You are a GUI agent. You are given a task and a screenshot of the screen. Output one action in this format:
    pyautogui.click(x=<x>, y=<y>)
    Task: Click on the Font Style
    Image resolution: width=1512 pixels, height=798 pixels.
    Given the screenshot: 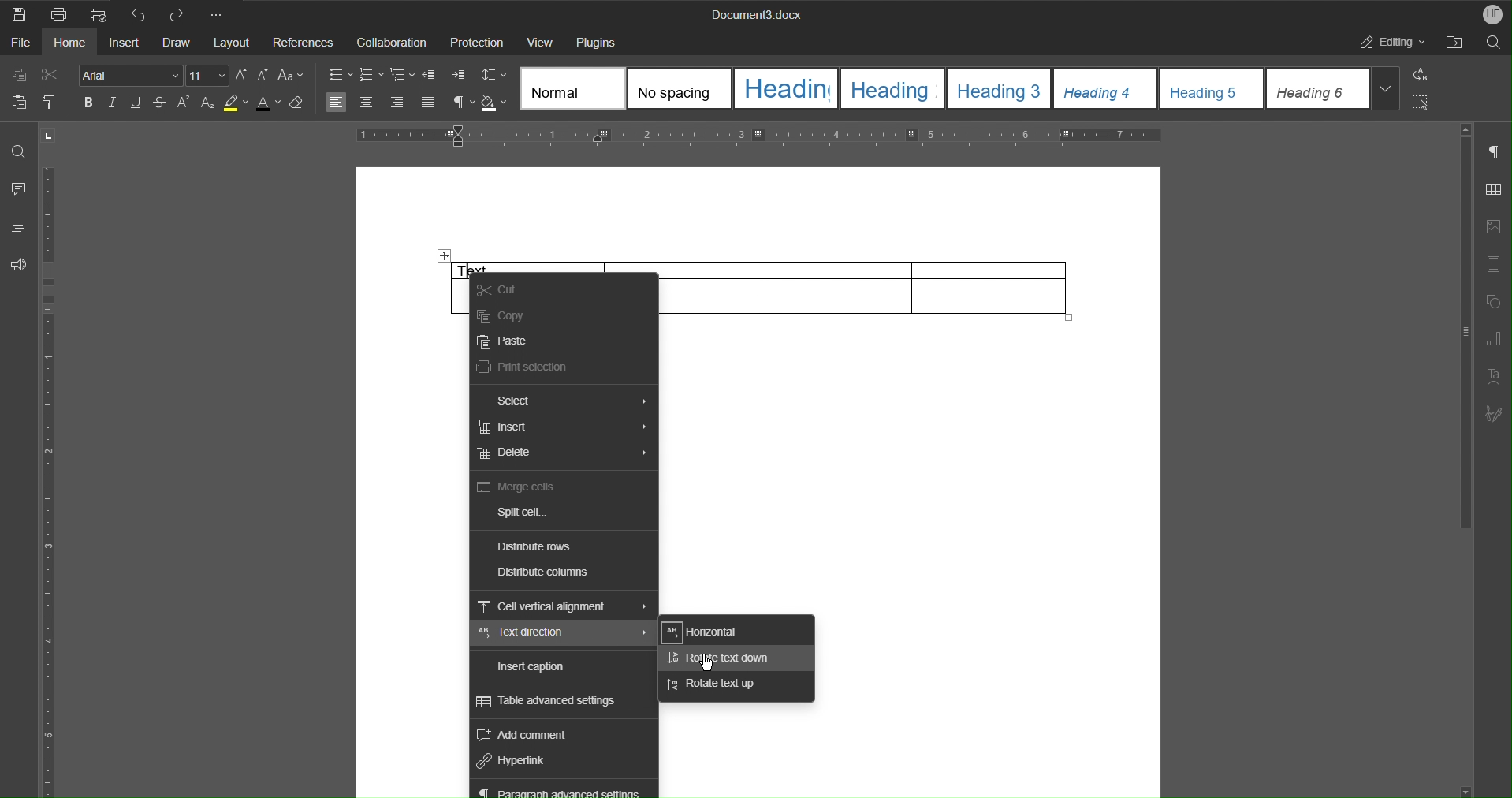 What is the action you would take?
    pyautogui.click(x=132, y=76)
    